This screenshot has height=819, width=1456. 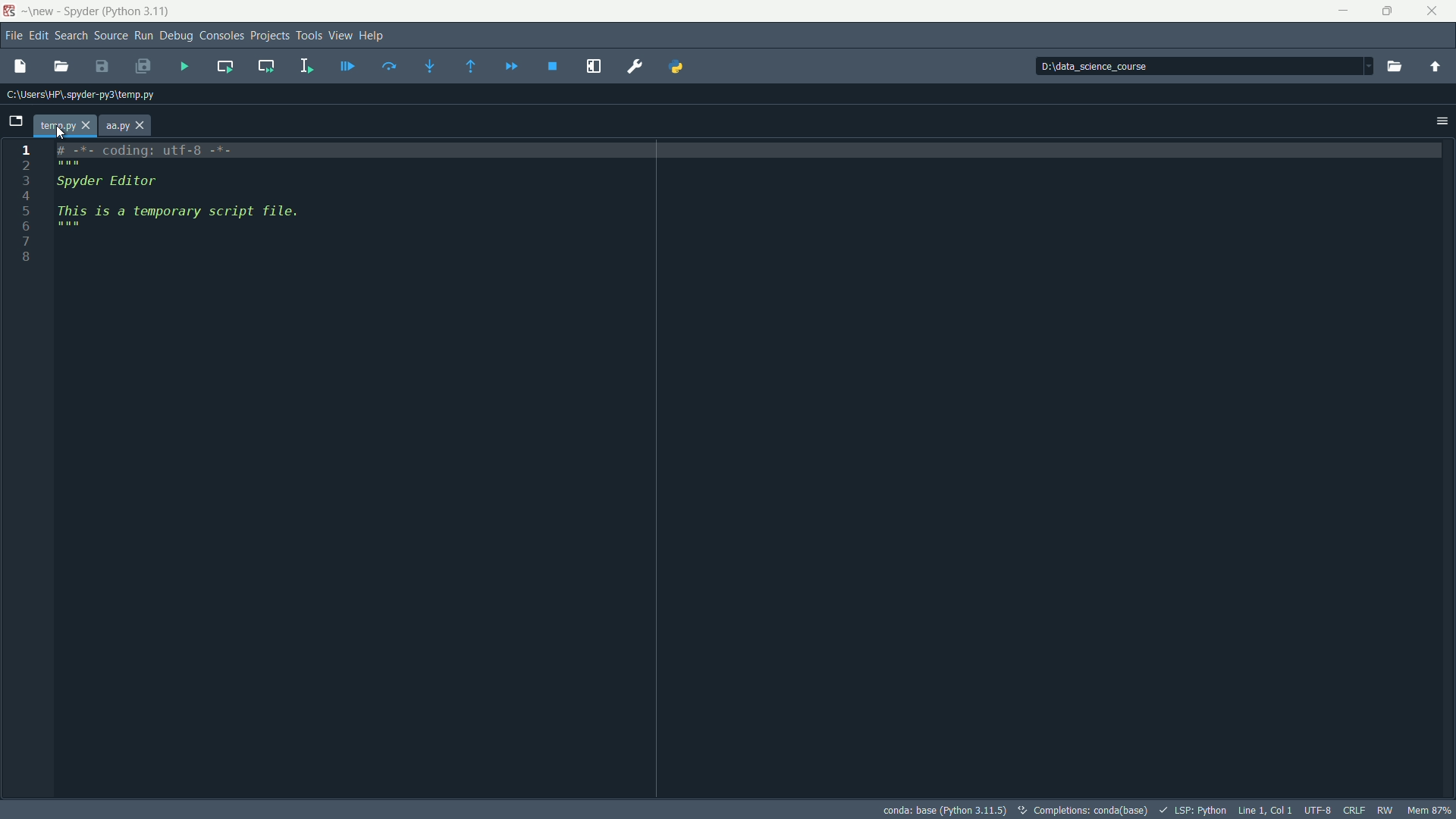 What do you see at coordinates (1264, 810) in the screenshot?
I see `cursor position` at bounding box center [1264, 810].